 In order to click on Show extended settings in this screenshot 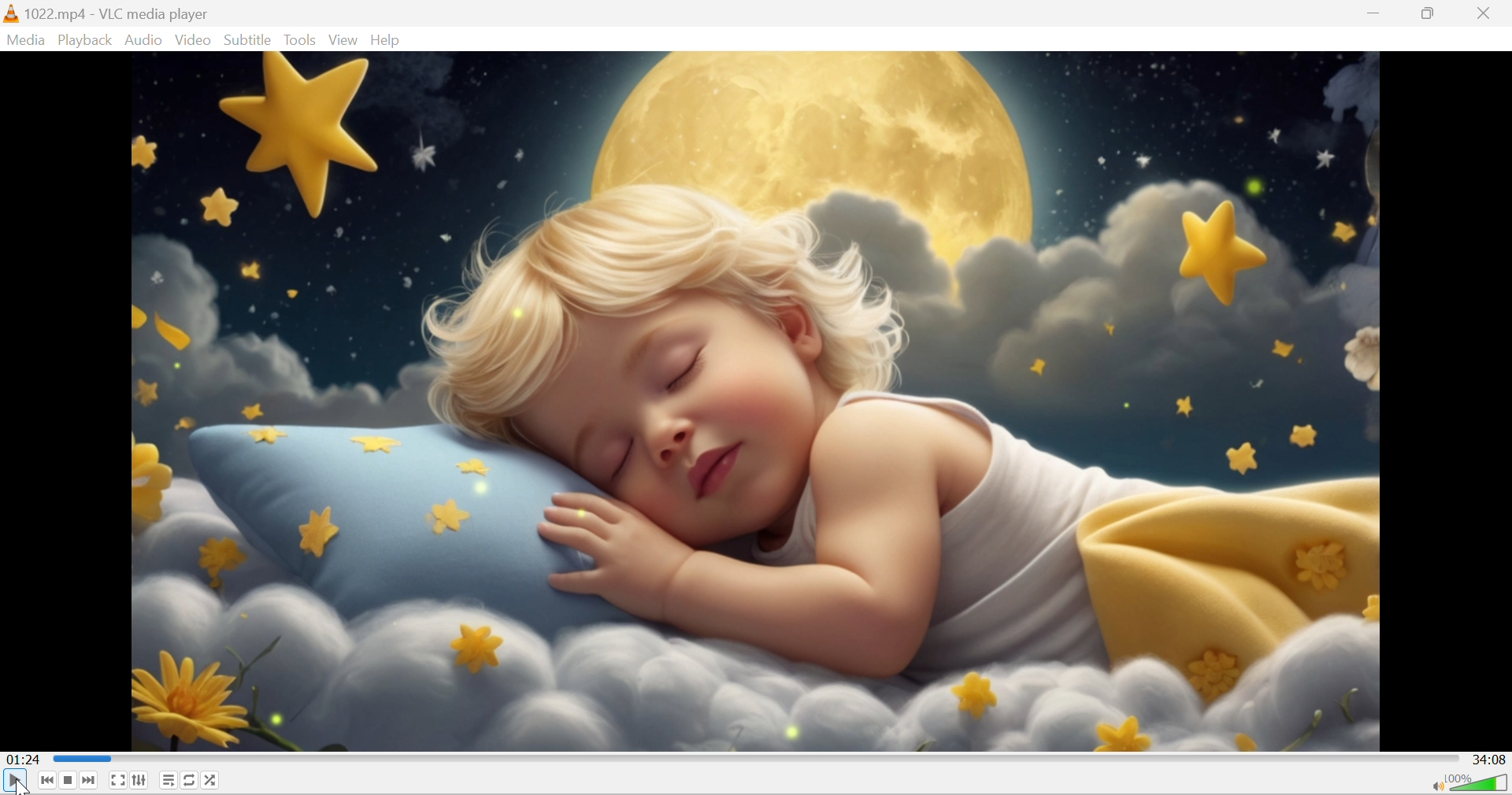, I will do `click(142, 780)`.